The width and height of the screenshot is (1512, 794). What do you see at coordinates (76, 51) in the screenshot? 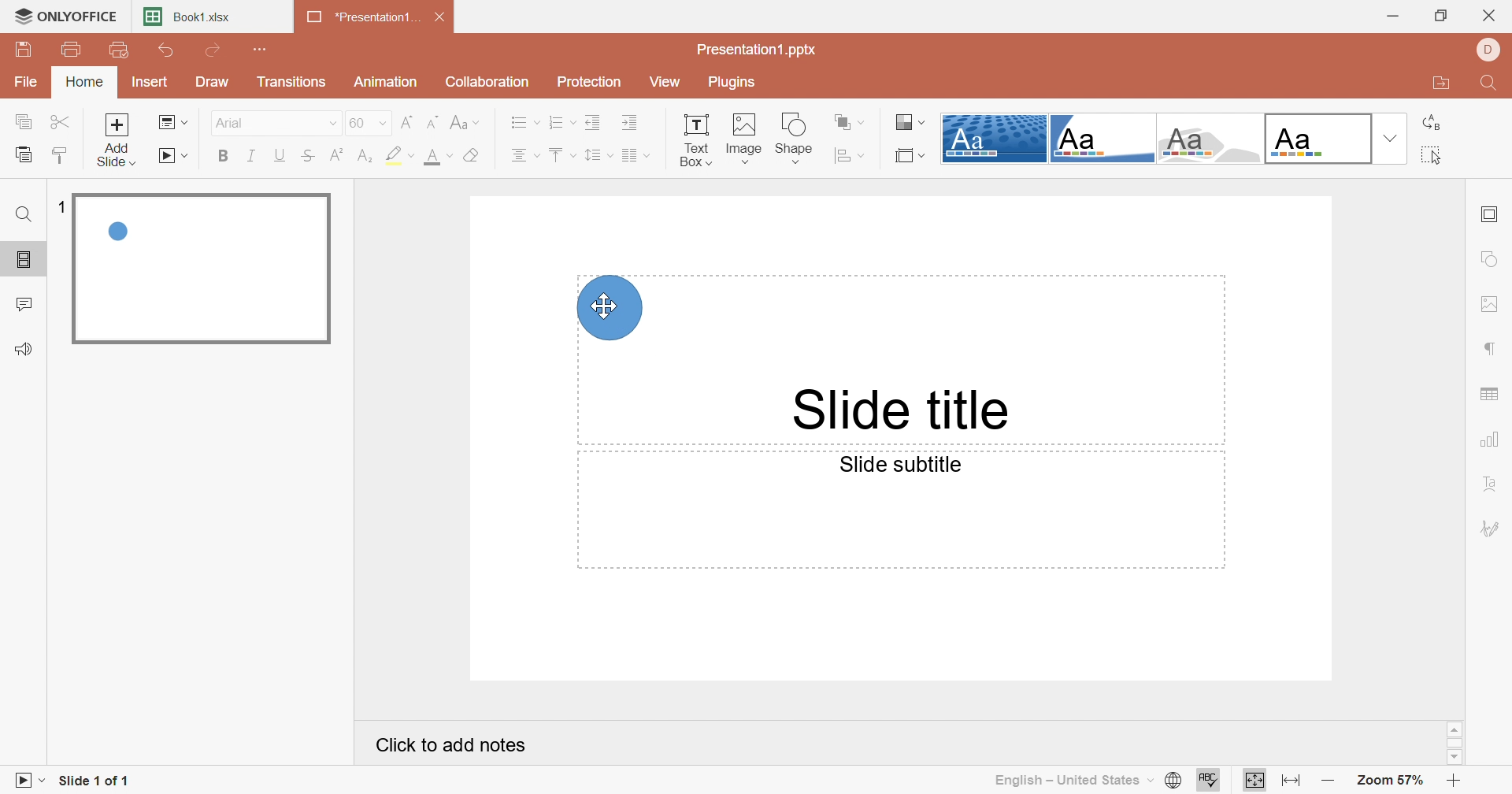
I see `Print` at bounding box center [76, 51].